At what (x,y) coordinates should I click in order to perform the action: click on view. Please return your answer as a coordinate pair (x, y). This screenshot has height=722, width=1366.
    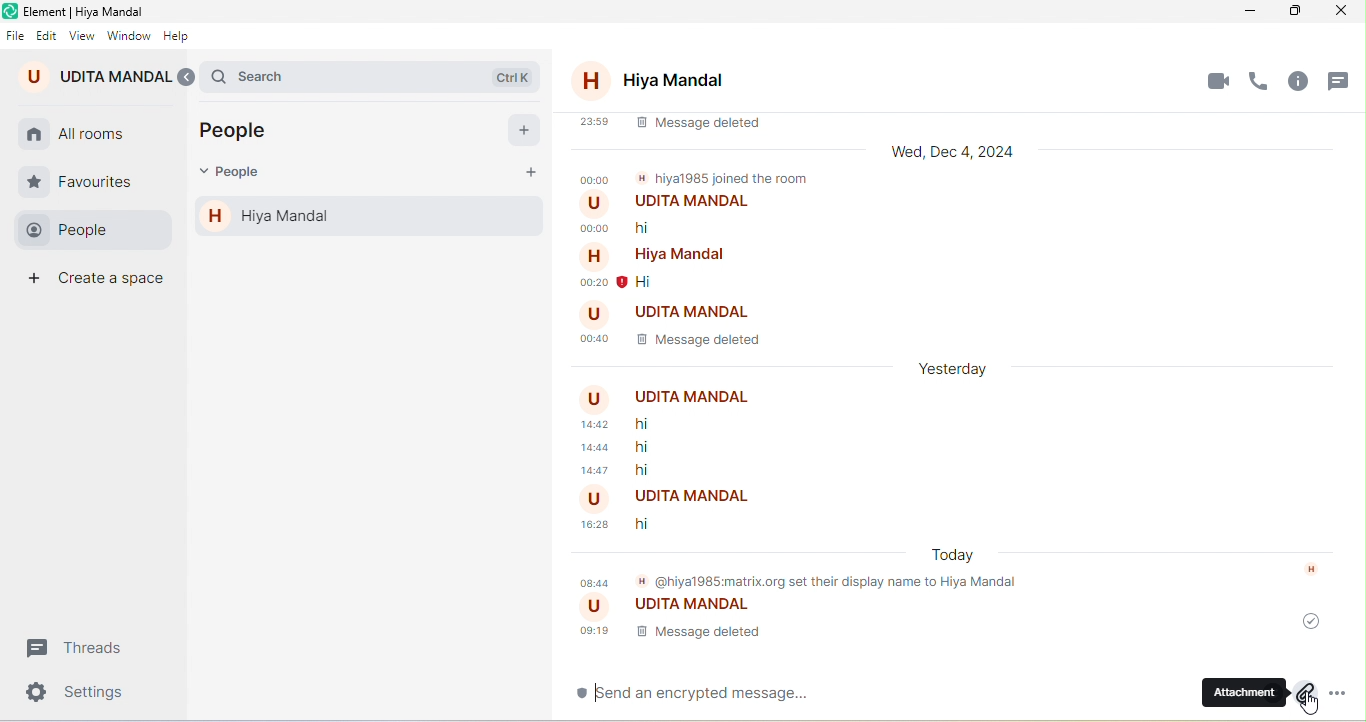
    Looking at the image, I should click on (81, 34).